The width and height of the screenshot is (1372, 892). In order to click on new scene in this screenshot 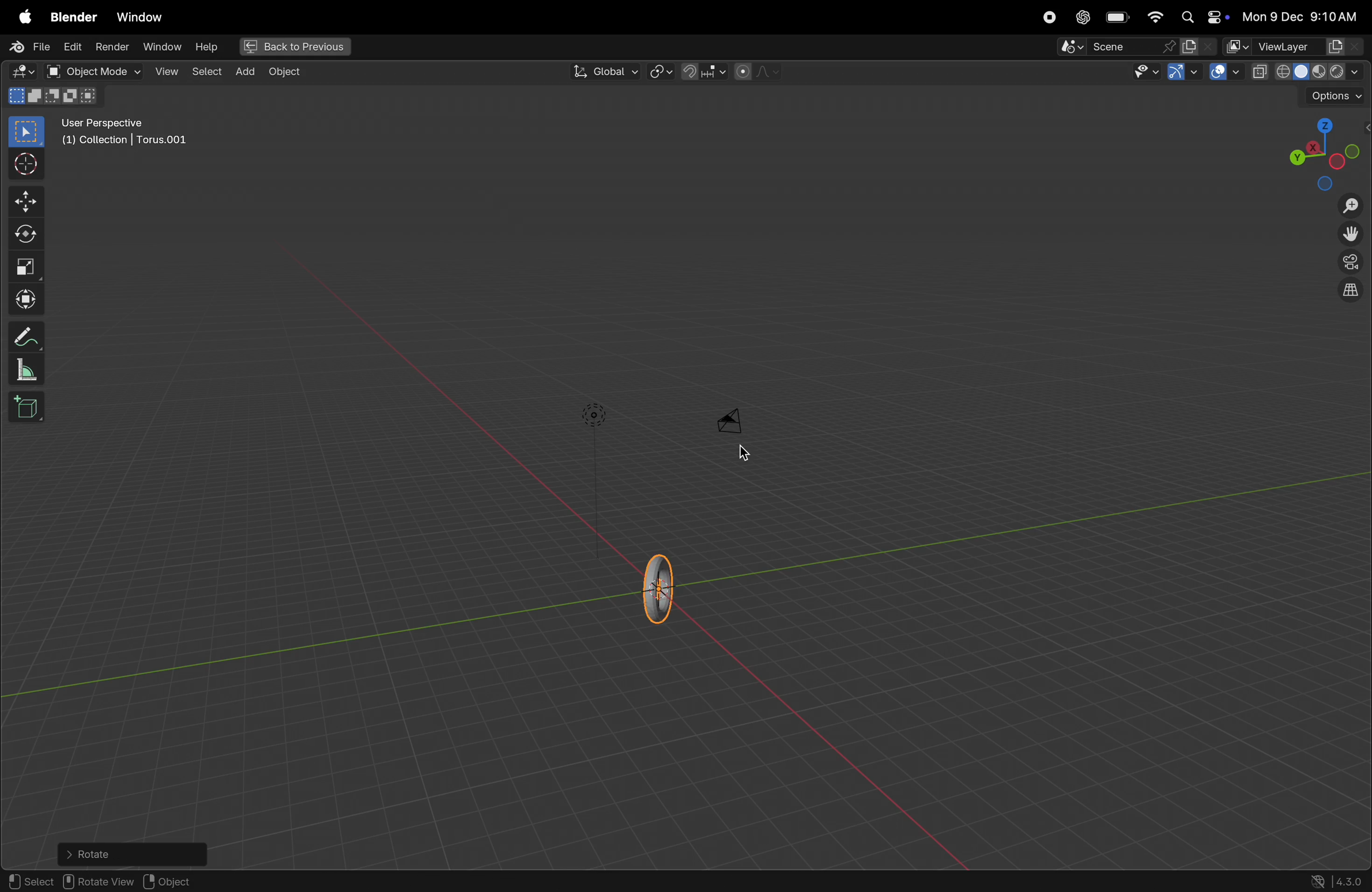, I will do `click(1198, 47)`.